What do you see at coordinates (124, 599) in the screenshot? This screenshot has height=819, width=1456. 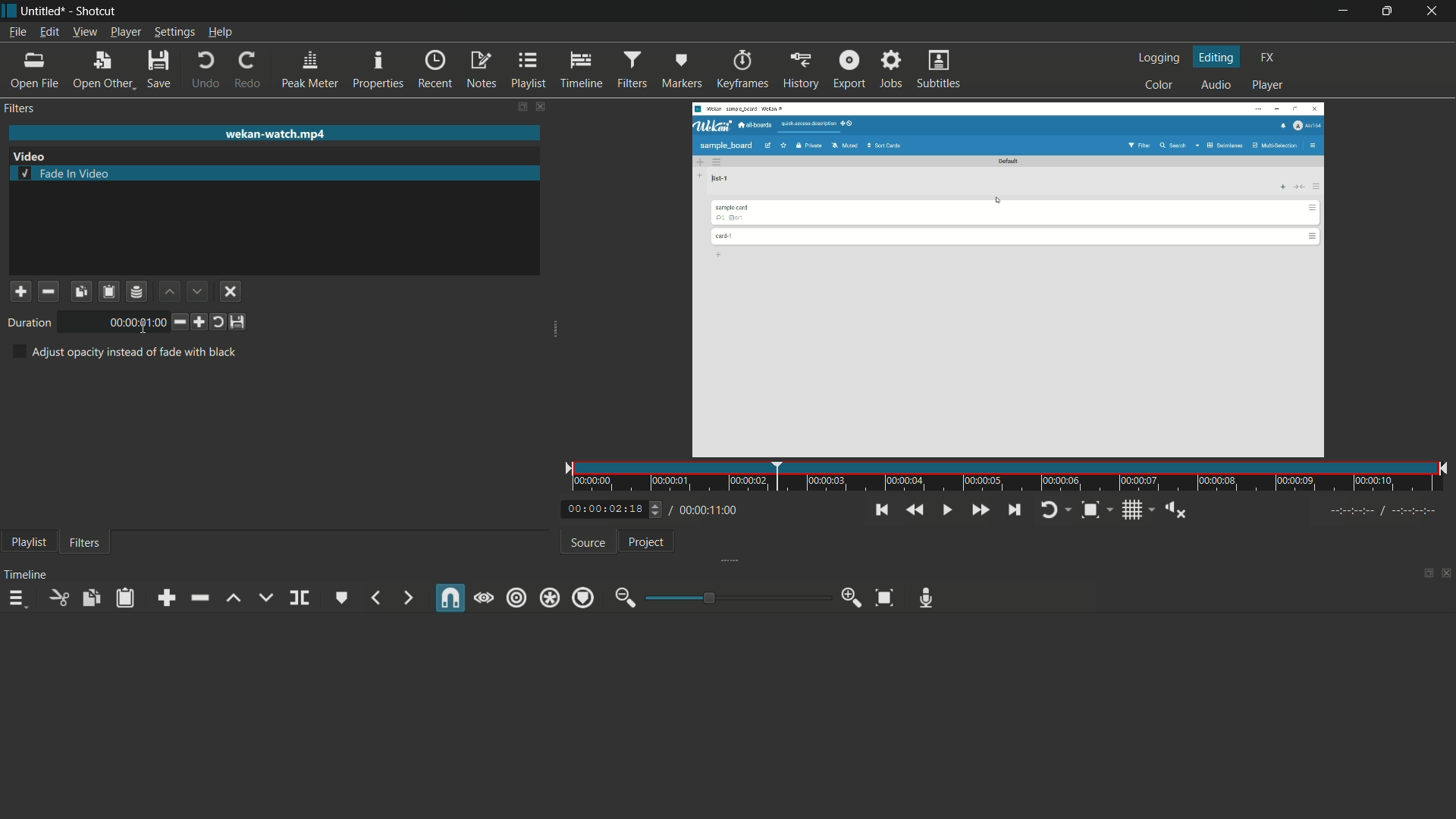 I see `paste` at bounding box center [124, 599].